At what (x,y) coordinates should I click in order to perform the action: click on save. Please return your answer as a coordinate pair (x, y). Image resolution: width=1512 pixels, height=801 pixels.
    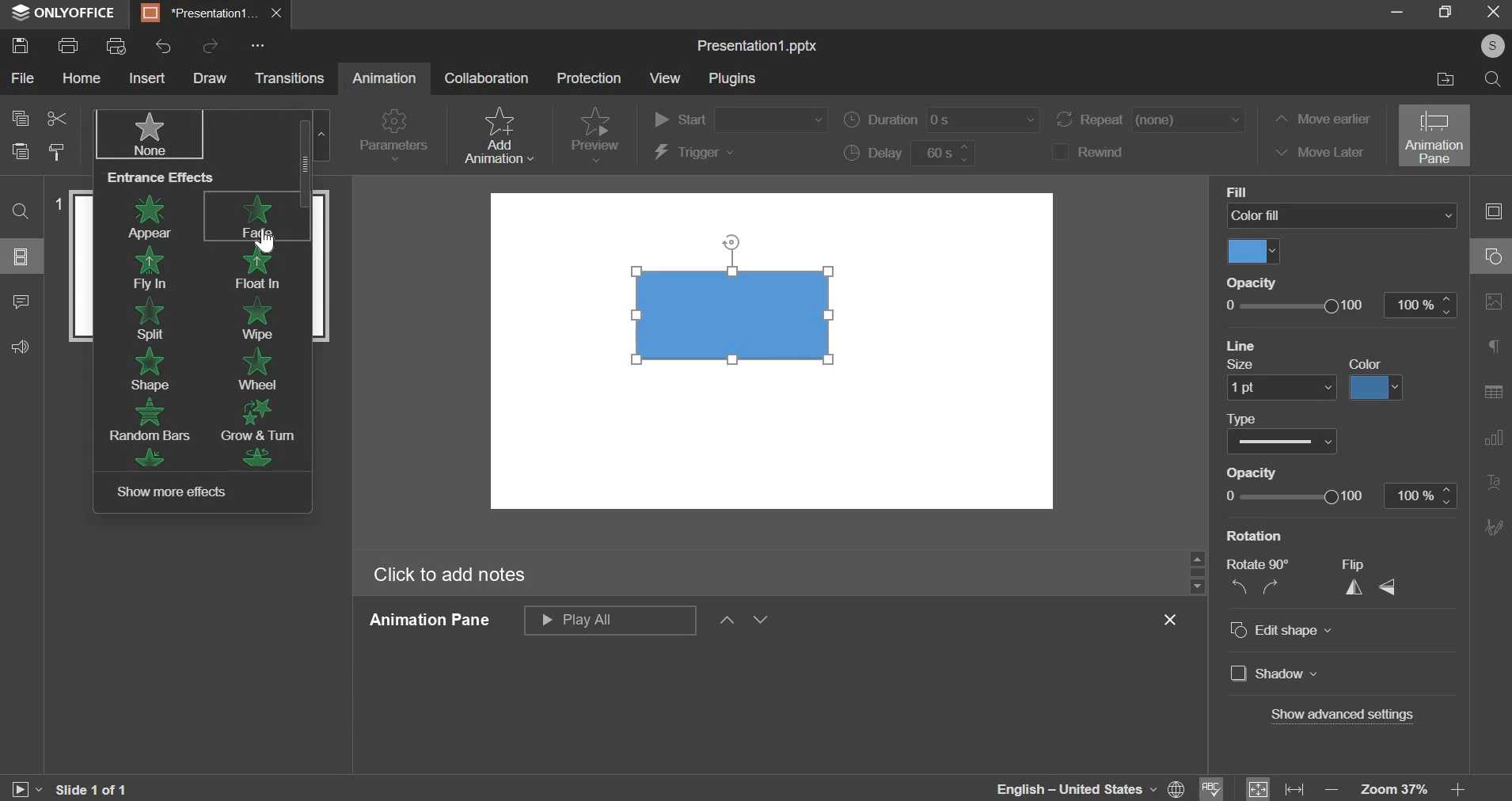
    Looking at the image, I should click on (22, 45).